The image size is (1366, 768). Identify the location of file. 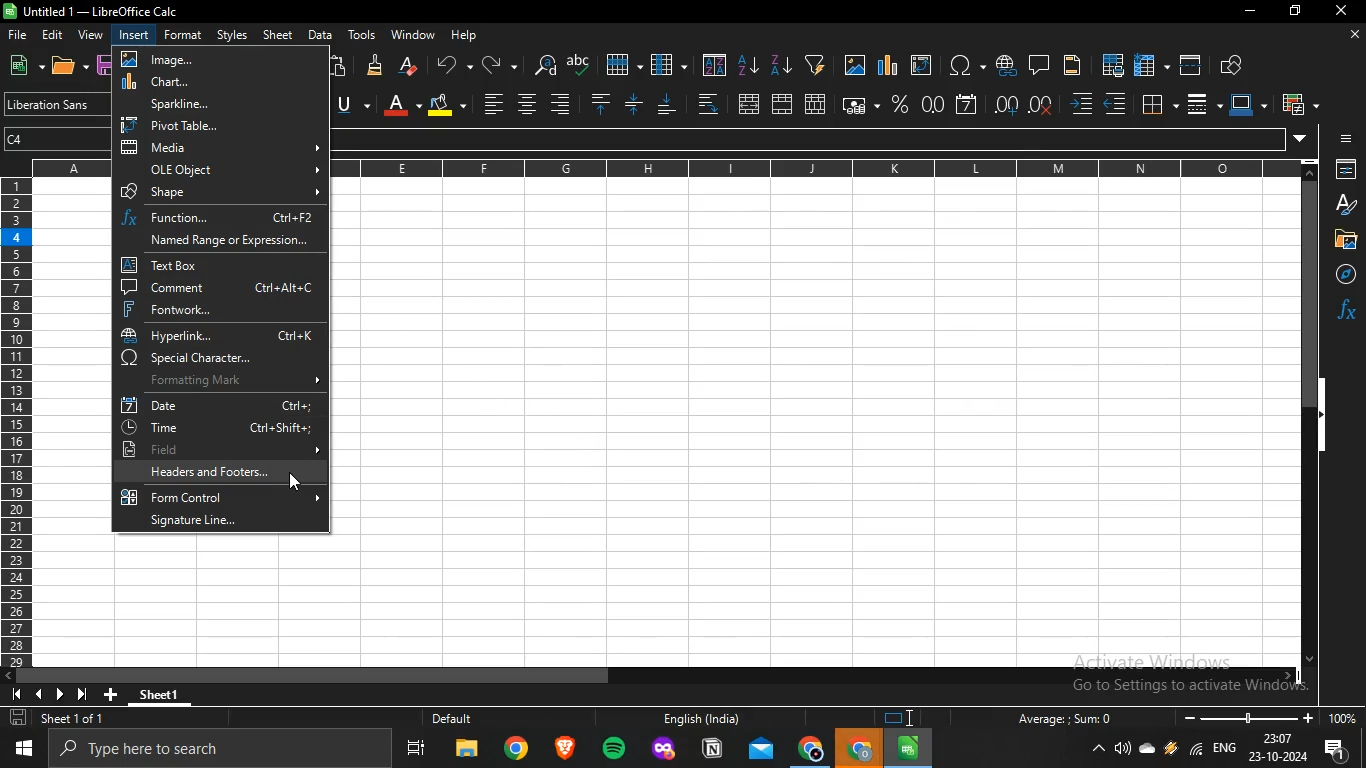
(20, 36).